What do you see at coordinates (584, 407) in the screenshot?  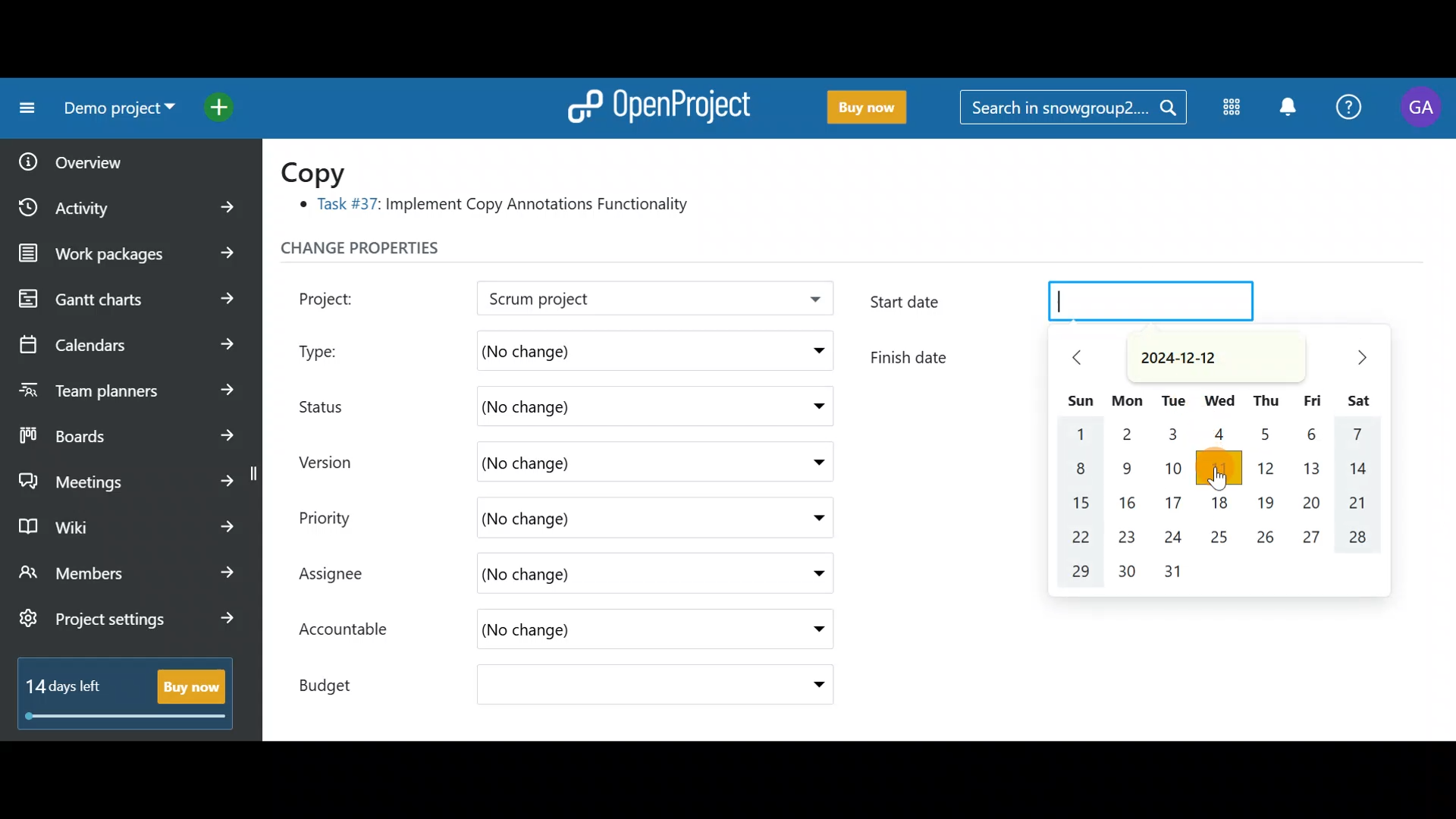 I see `(No change)` at bounding box center [584, 407].